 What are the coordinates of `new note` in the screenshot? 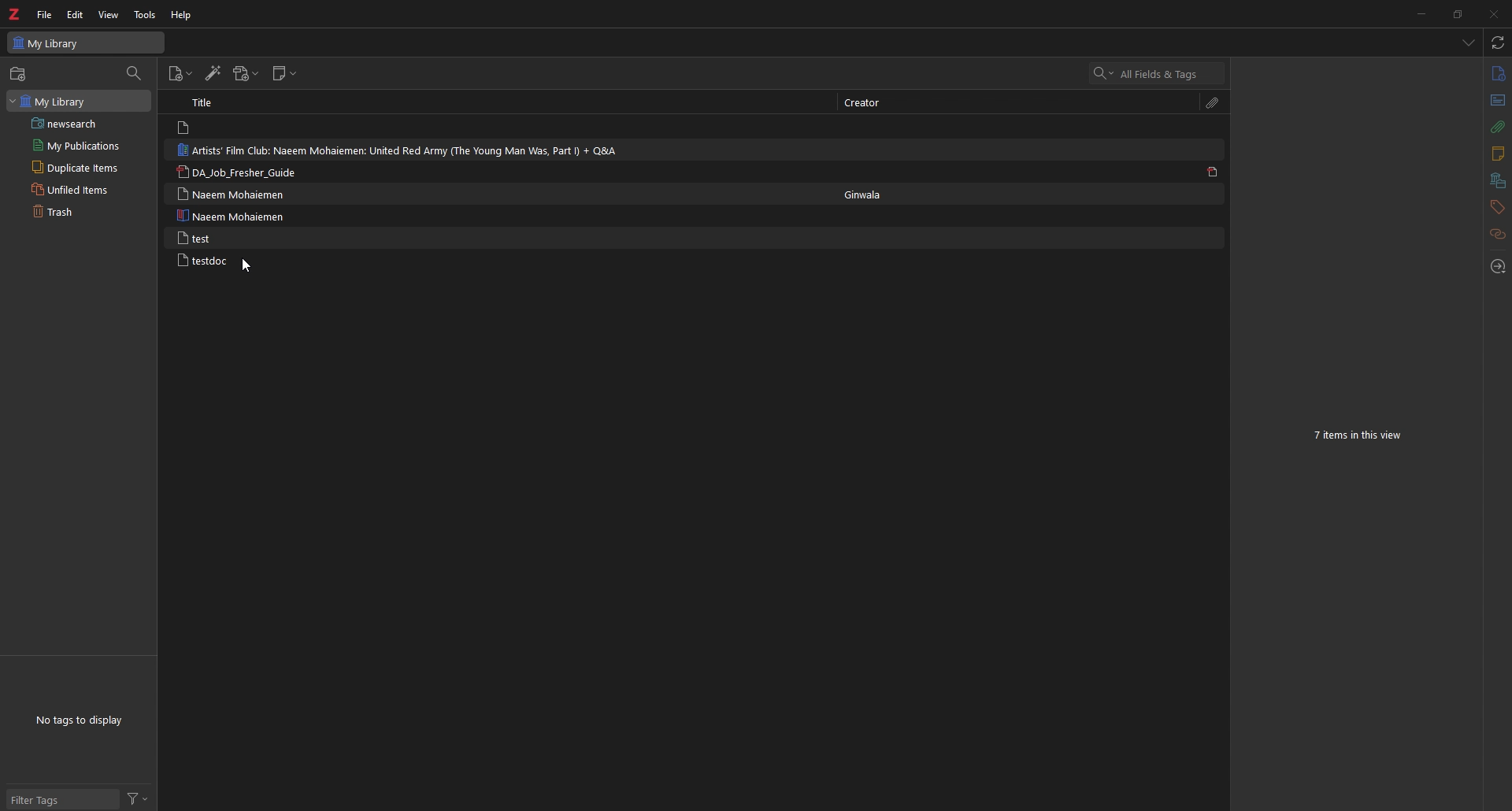 It's located at (284, 73).